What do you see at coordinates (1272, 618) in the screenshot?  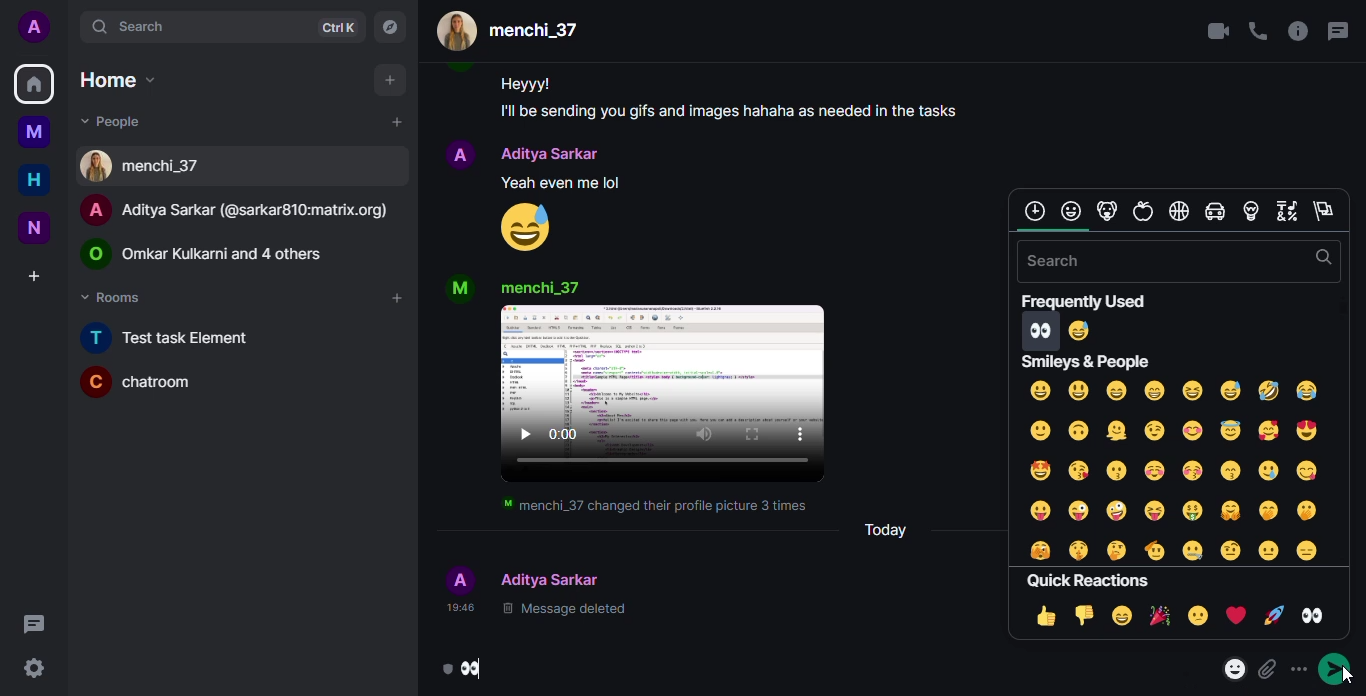 I see `rocket` at bounding box center [1272, 618].